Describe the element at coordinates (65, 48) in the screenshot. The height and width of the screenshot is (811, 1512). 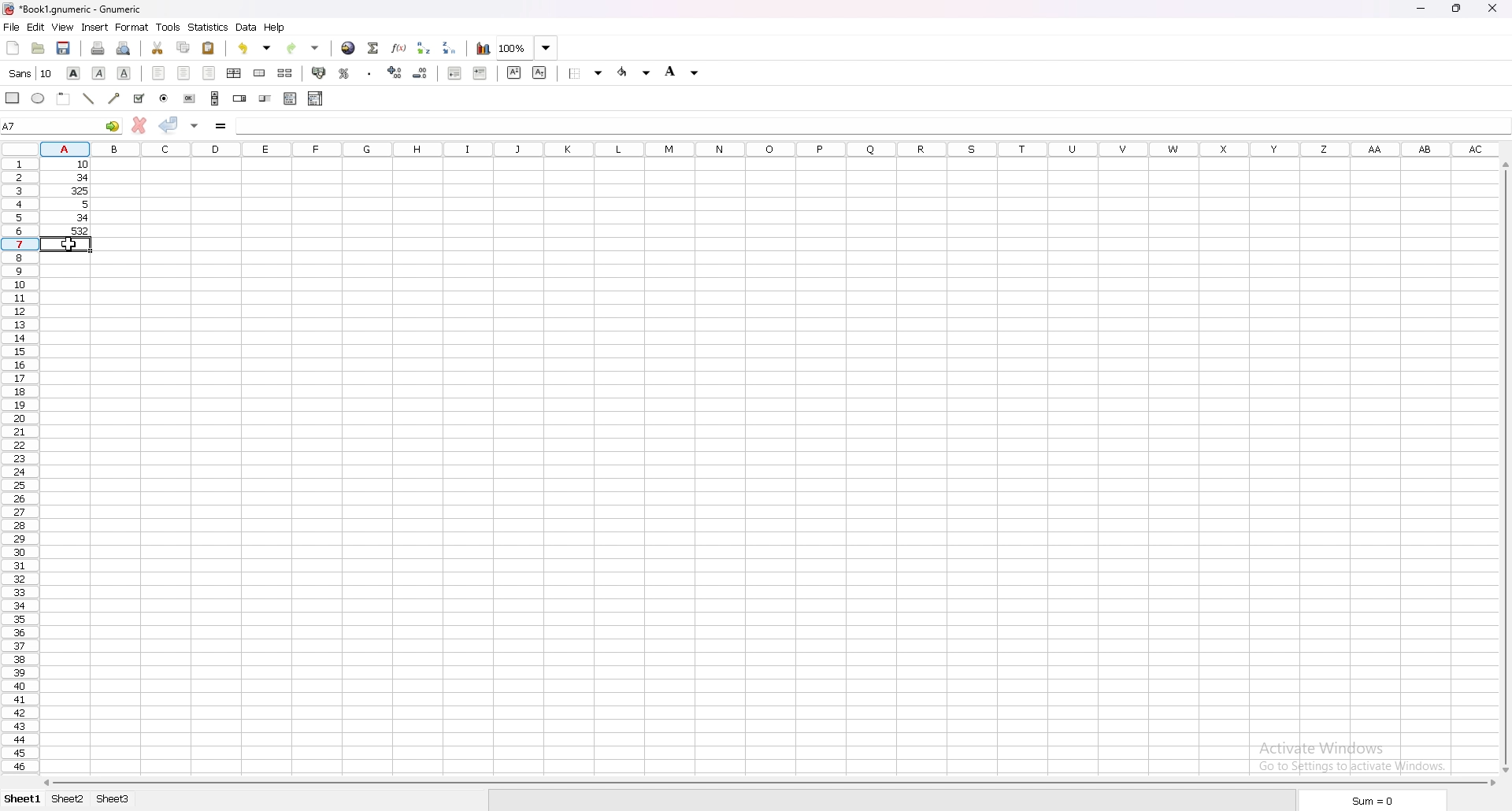
I see `save` at that location.